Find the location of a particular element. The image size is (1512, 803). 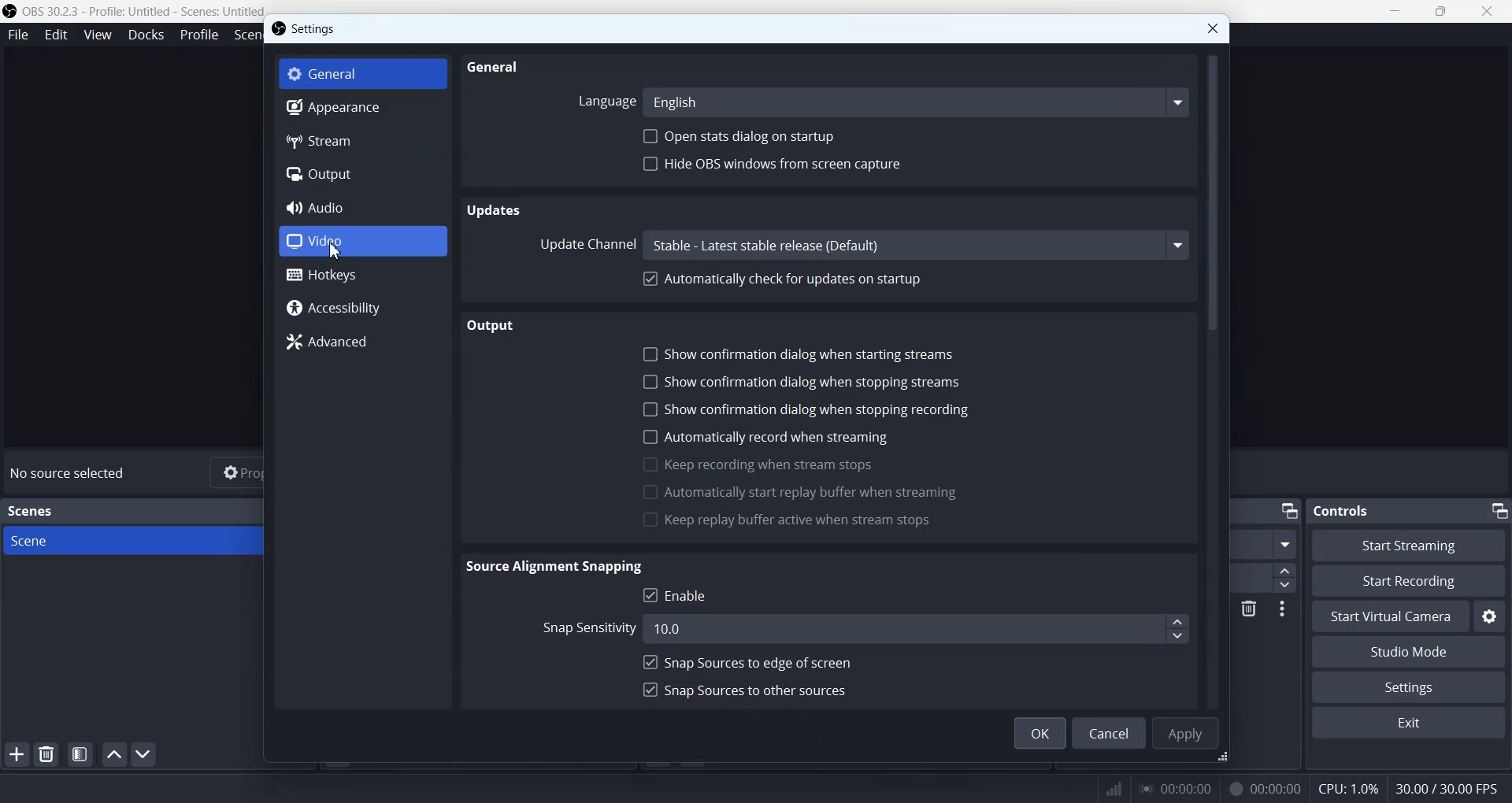

00:00:00 is located at coordinates (1261, 788).